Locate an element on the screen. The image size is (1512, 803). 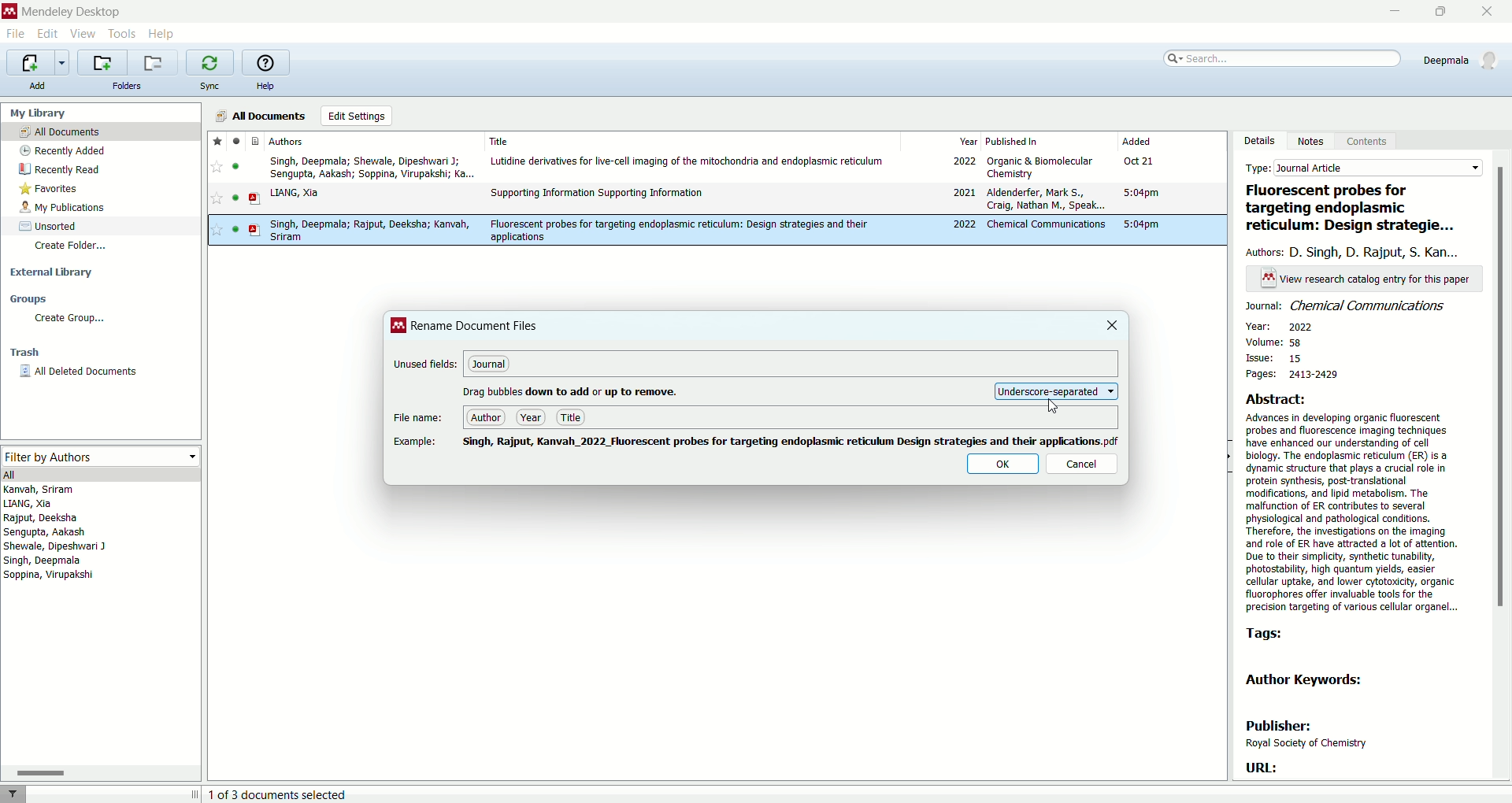
recently read is located at coordinates (59, 169).